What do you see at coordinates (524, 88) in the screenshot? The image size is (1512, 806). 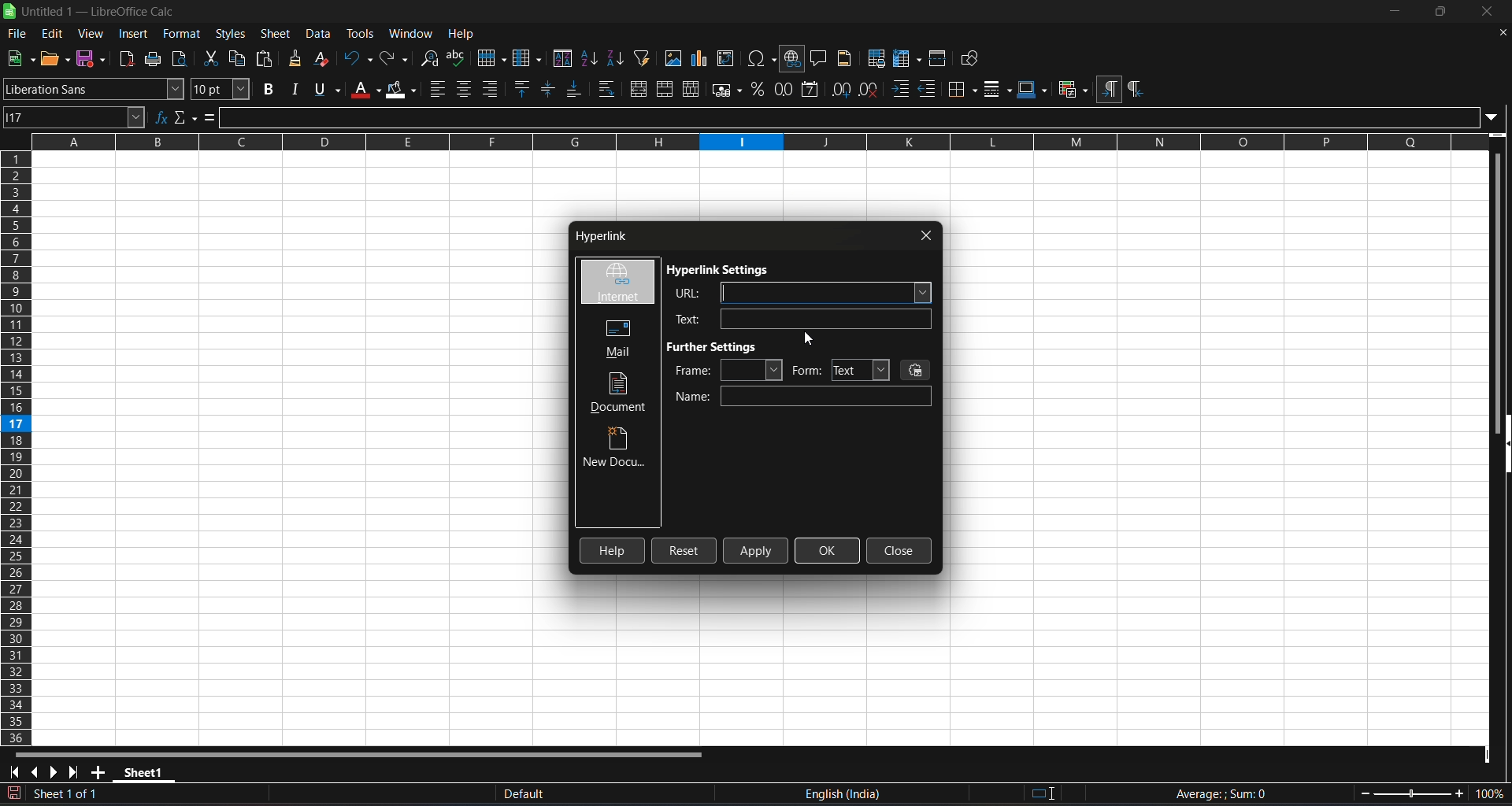 I see `align top` at bounding box center [524, 88].